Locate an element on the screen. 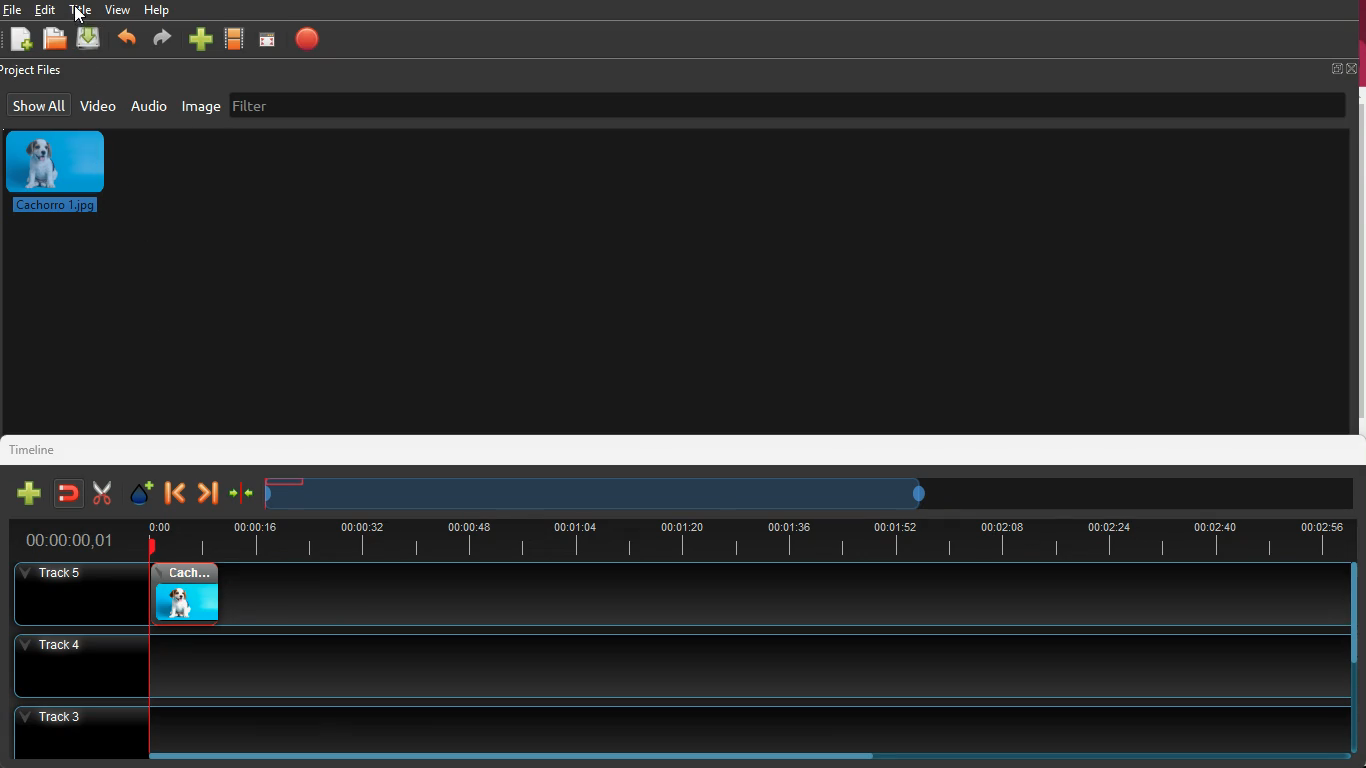 This screenshot has width=1366, height=768. cut is located at coordinates (97, 493).